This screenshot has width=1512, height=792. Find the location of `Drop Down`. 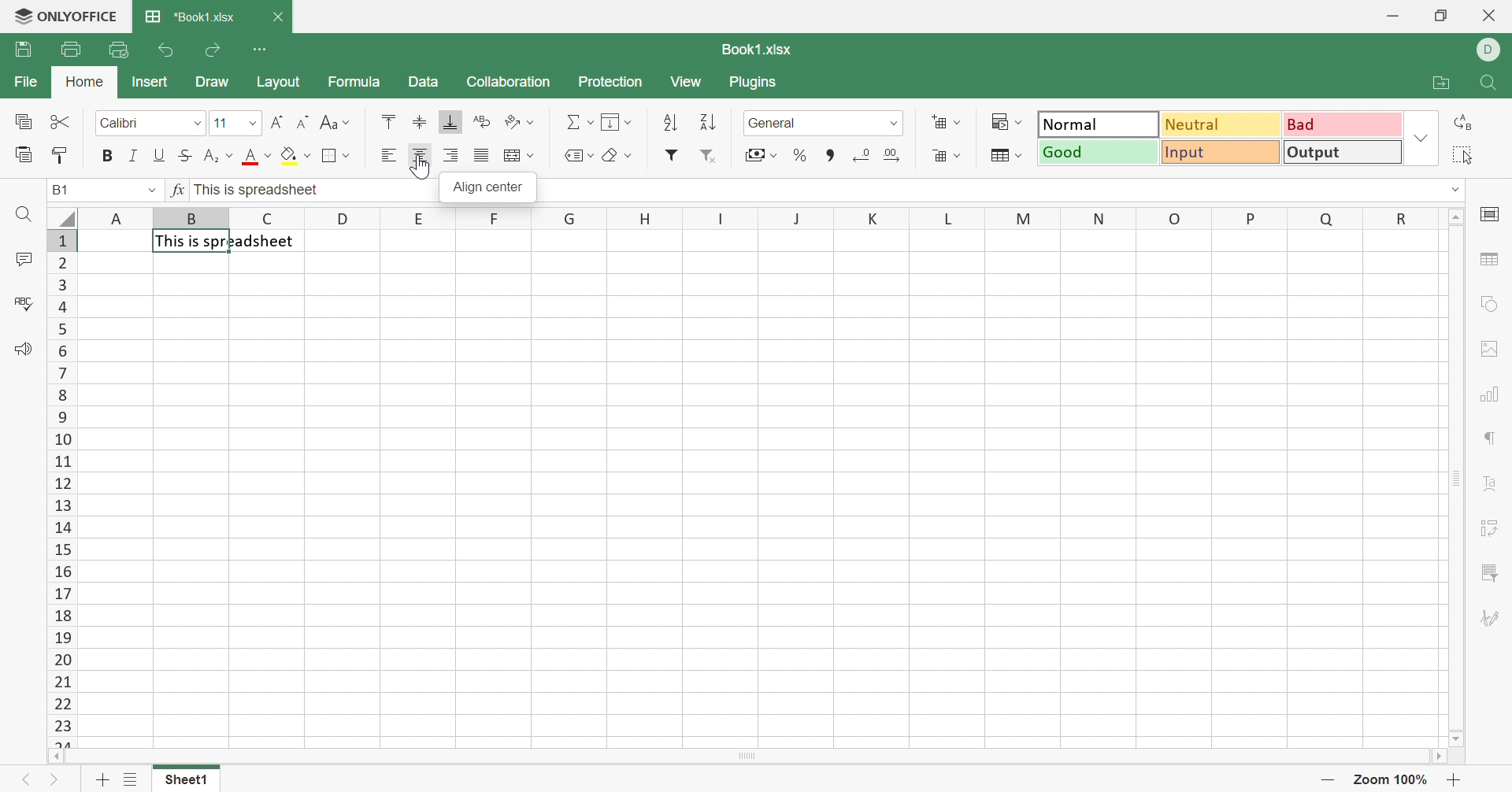

Drop Down is located at coordinates (775, 155).